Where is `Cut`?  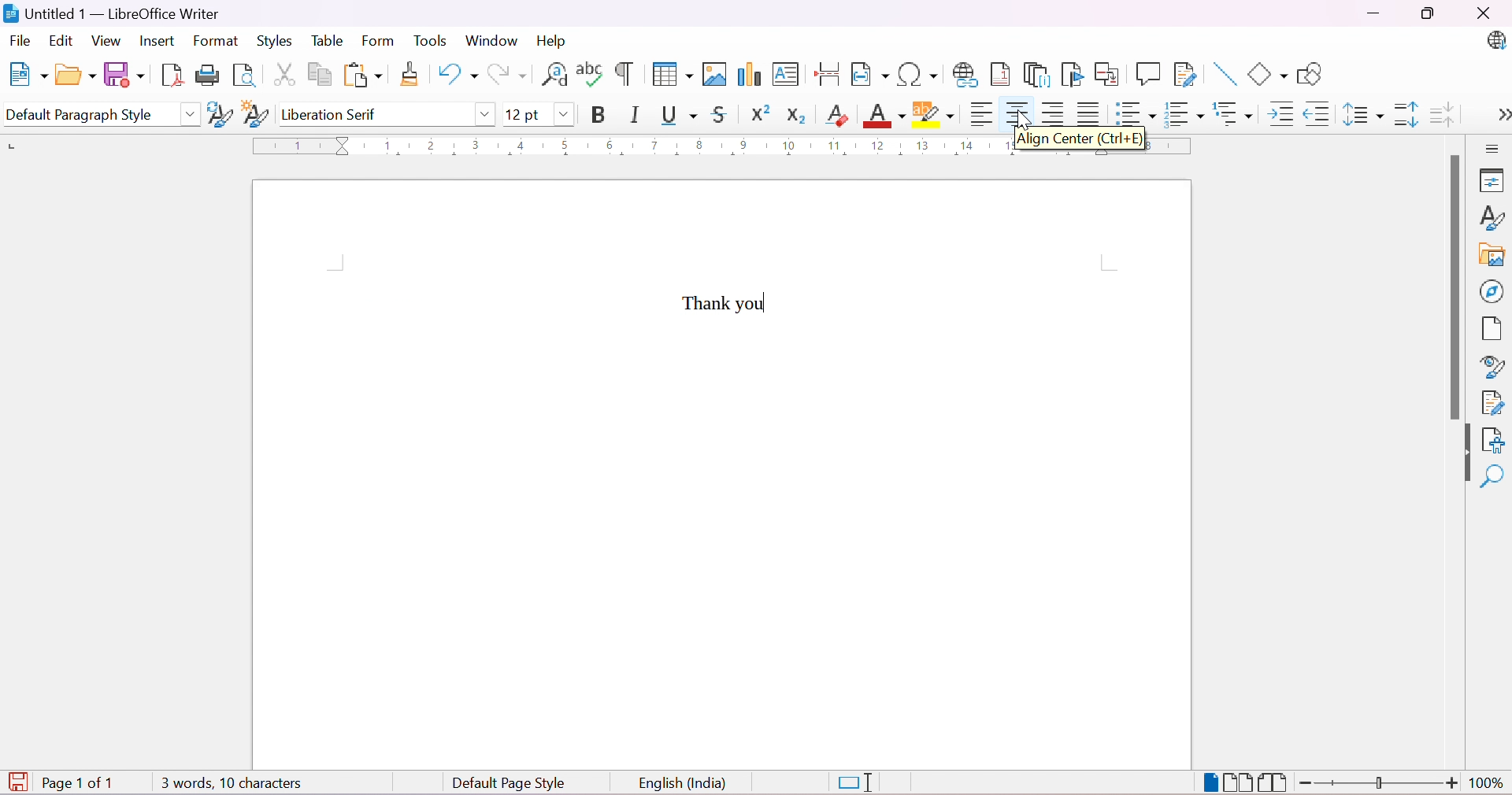 Cut is located at coordinates (281, 73).